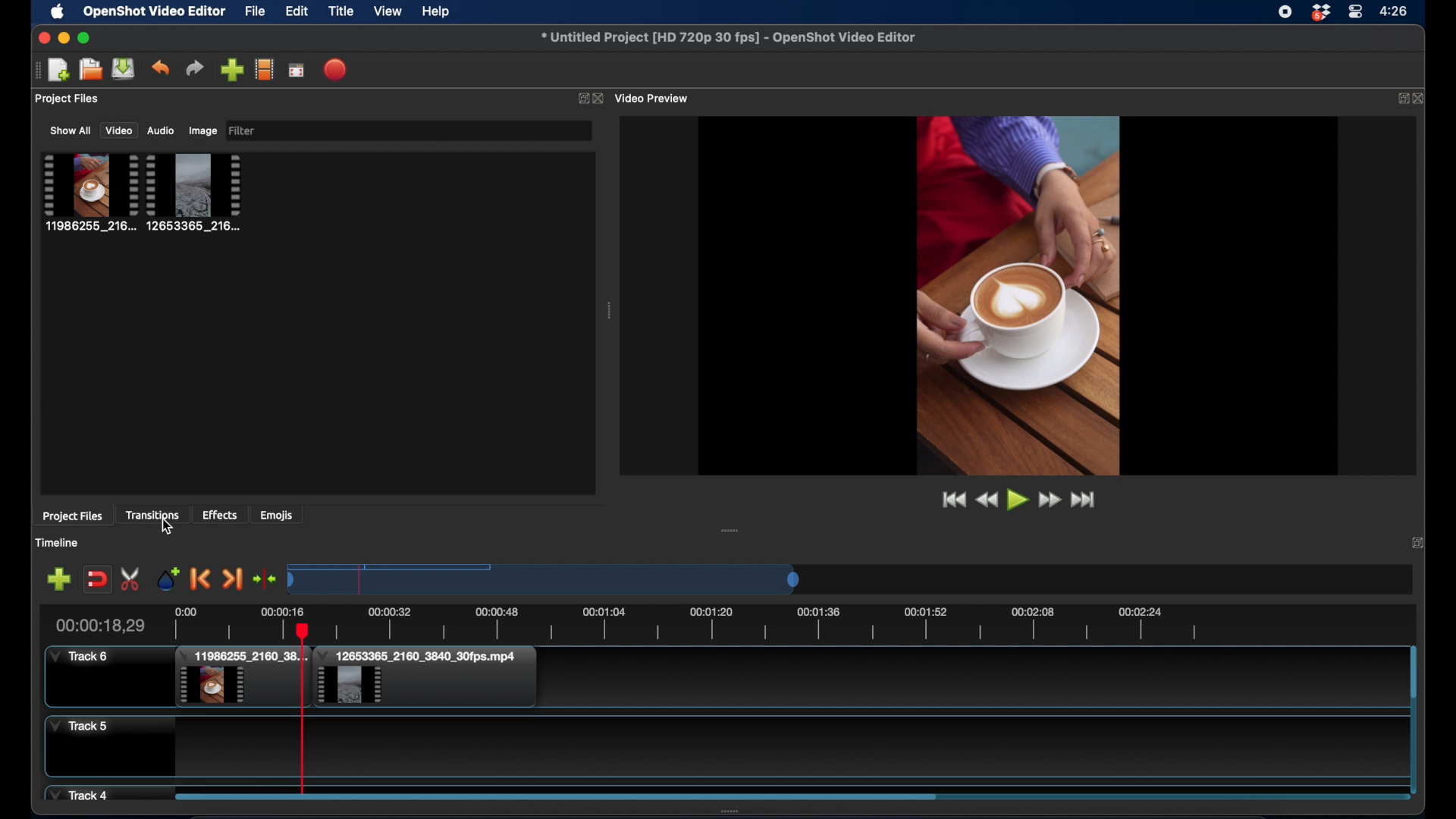 Image resolution: width=1456 pixels, height=819 pixels. What do you see at coordinates (581, 98) in the screenshot?
I see `expand` at bounding box center [581, 98].